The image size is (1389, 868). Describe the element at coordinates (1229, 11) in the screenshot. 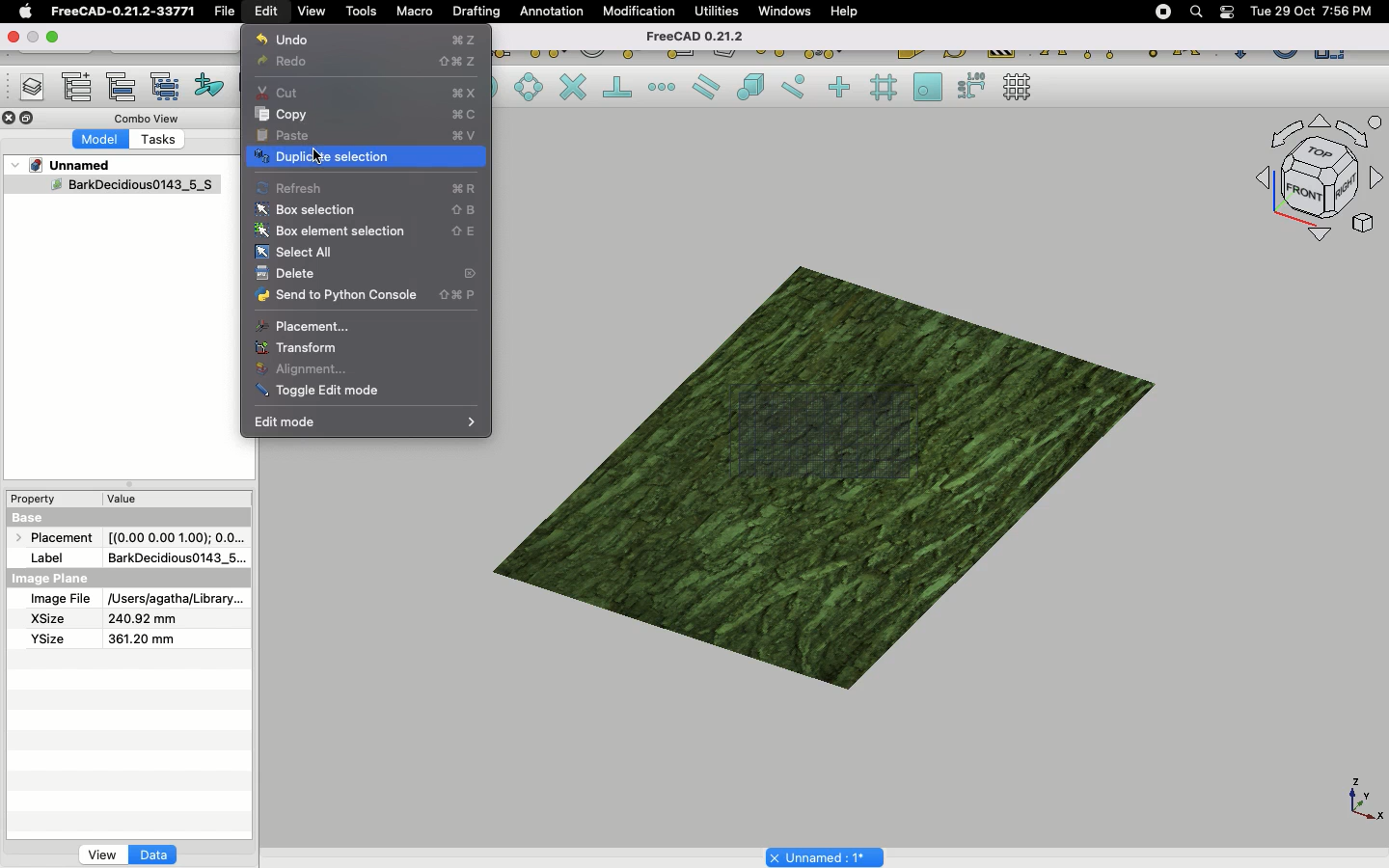

I see `Notification` at that location.